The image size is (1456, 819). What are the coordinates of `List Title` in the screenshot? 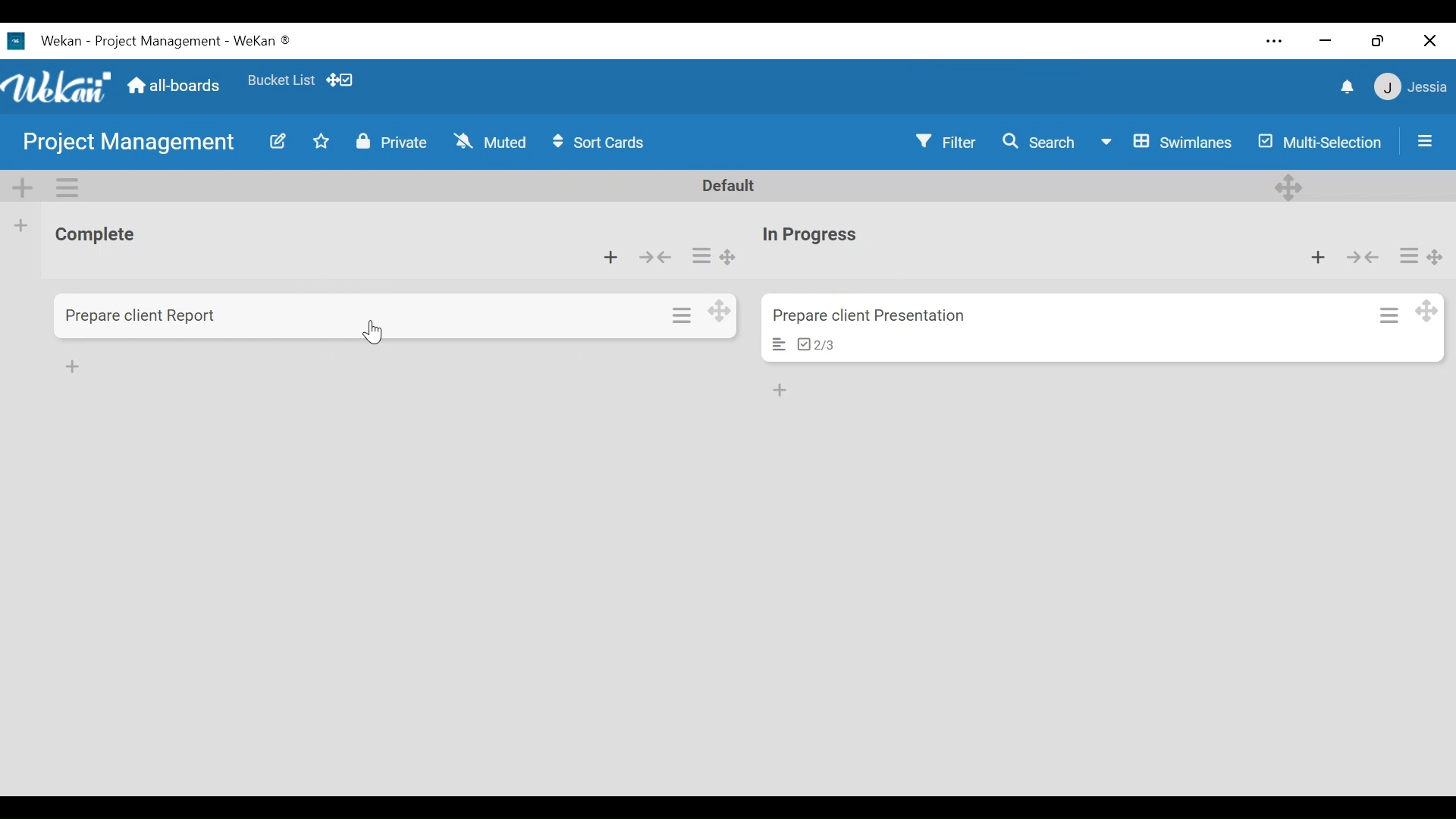 It's located at (94, 234).